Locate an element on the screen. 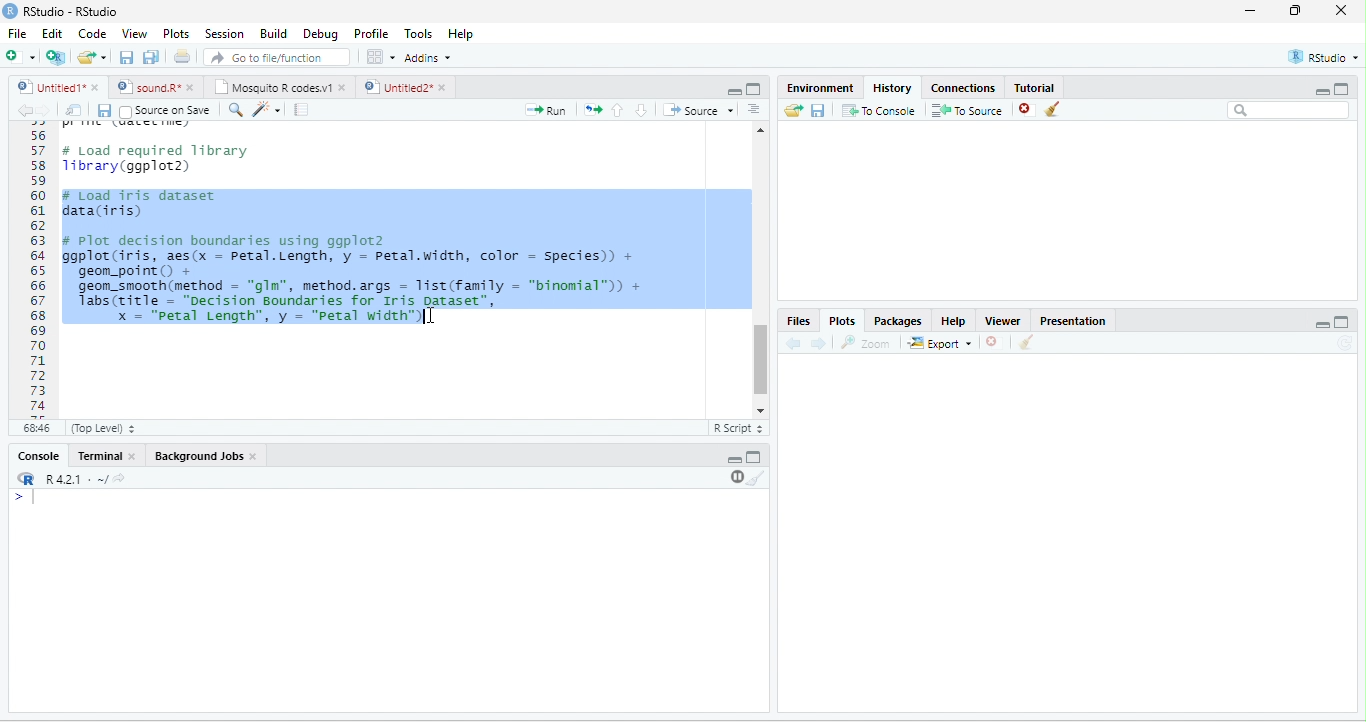  Edit is located at coordinates (52, 32).